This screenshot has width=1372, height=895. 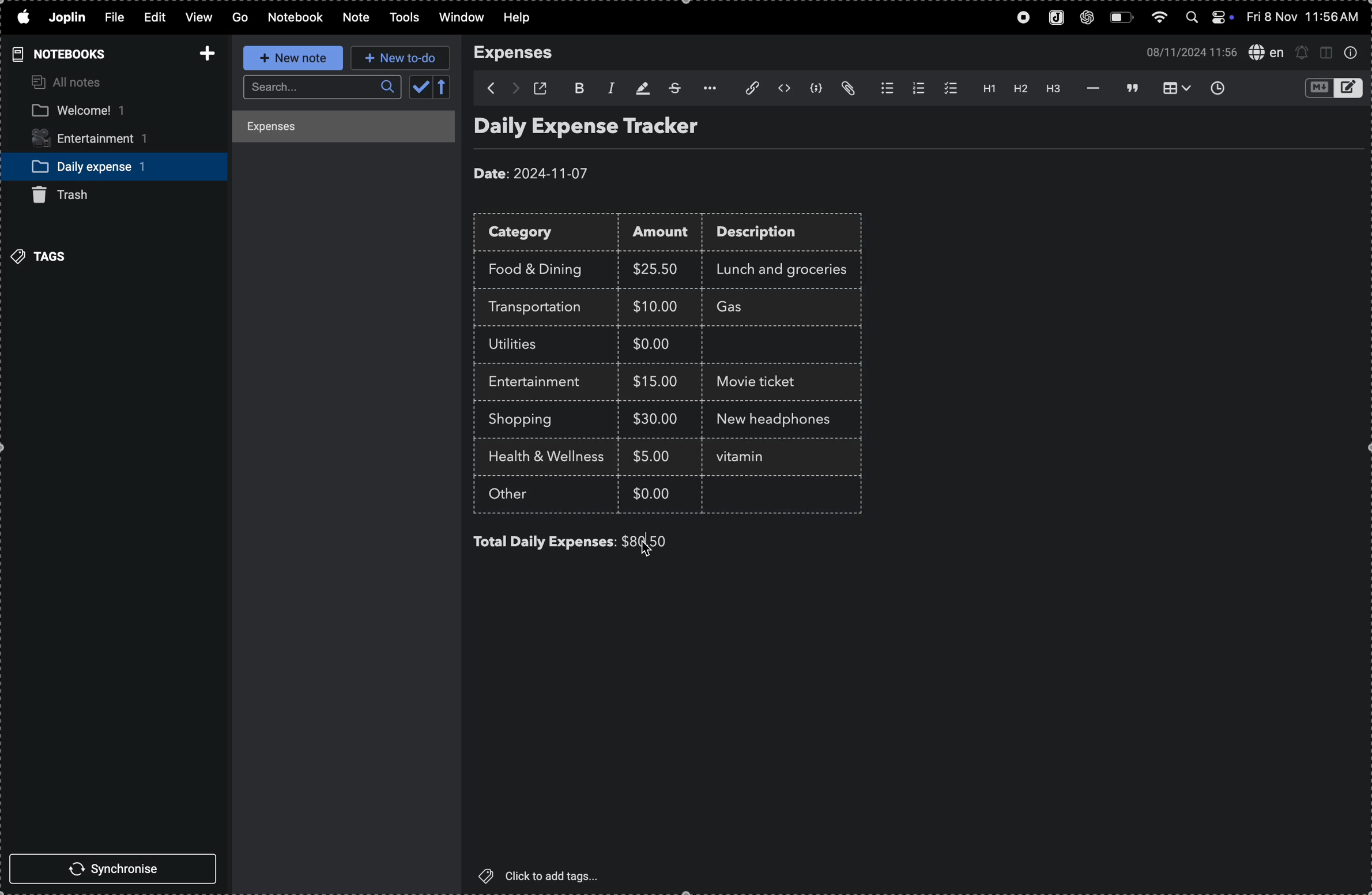 What do you see at coordinates (817, 90) in the screenshot?
I see `code` at bounding box center [817, 90].